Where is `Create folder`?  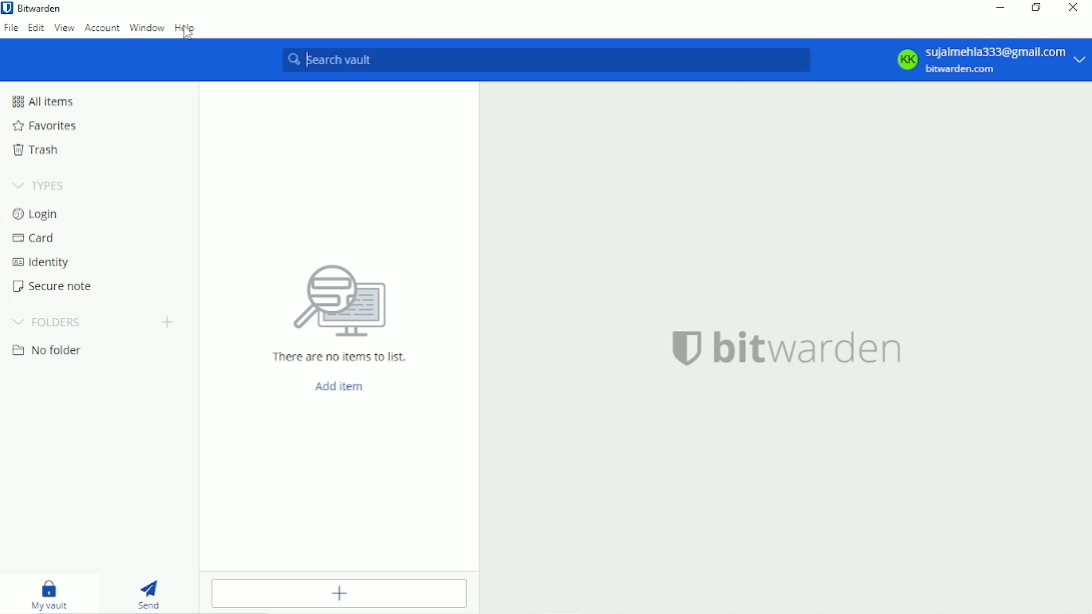 Create folder is located at coordinates (170, 322).